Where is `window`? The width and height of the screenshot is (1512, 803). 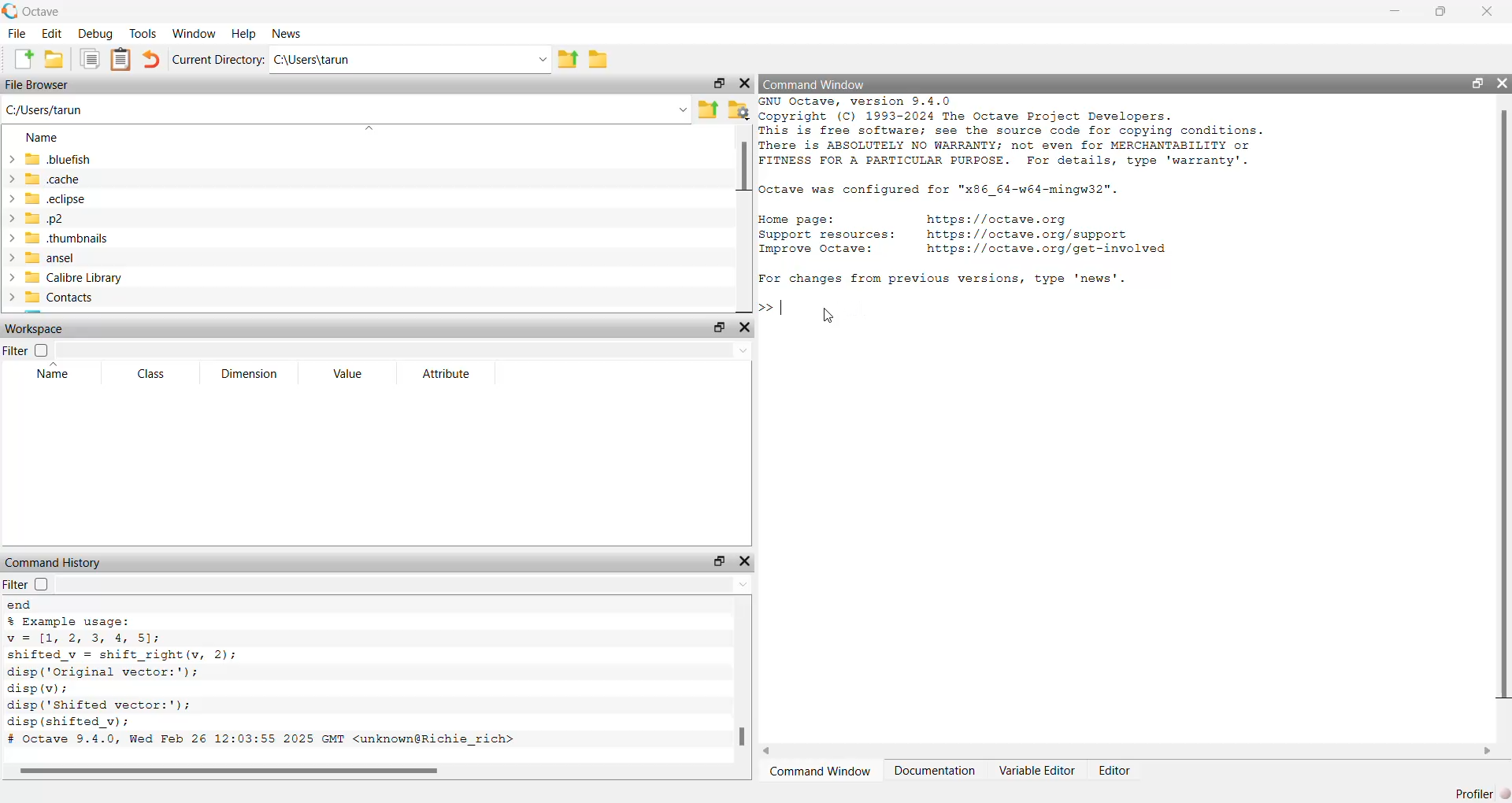
window is located at coordinates (193, 34).